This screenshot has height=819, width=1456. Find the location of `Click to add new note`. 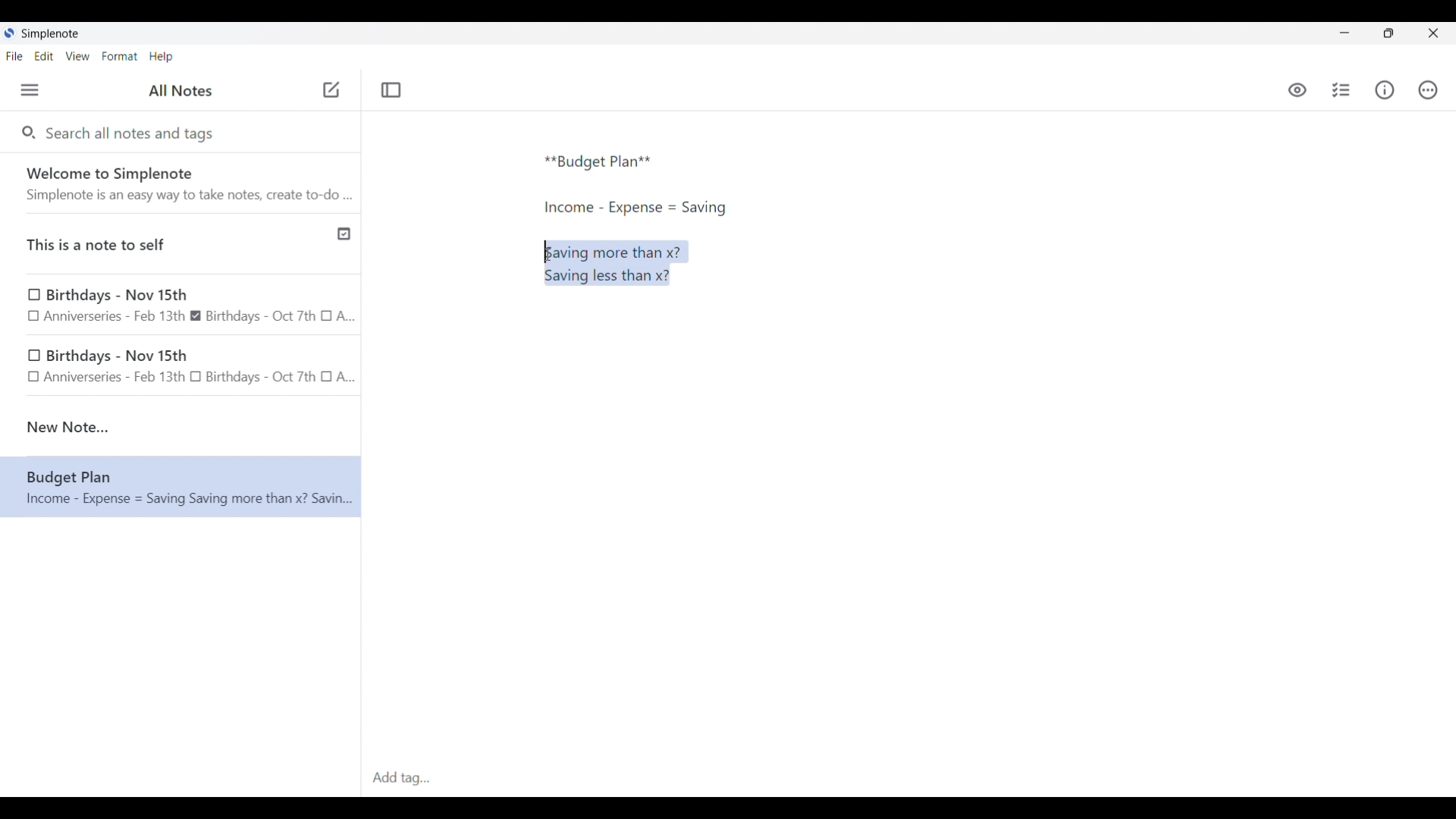

Click to add new note is located at coordinates (331, 89).